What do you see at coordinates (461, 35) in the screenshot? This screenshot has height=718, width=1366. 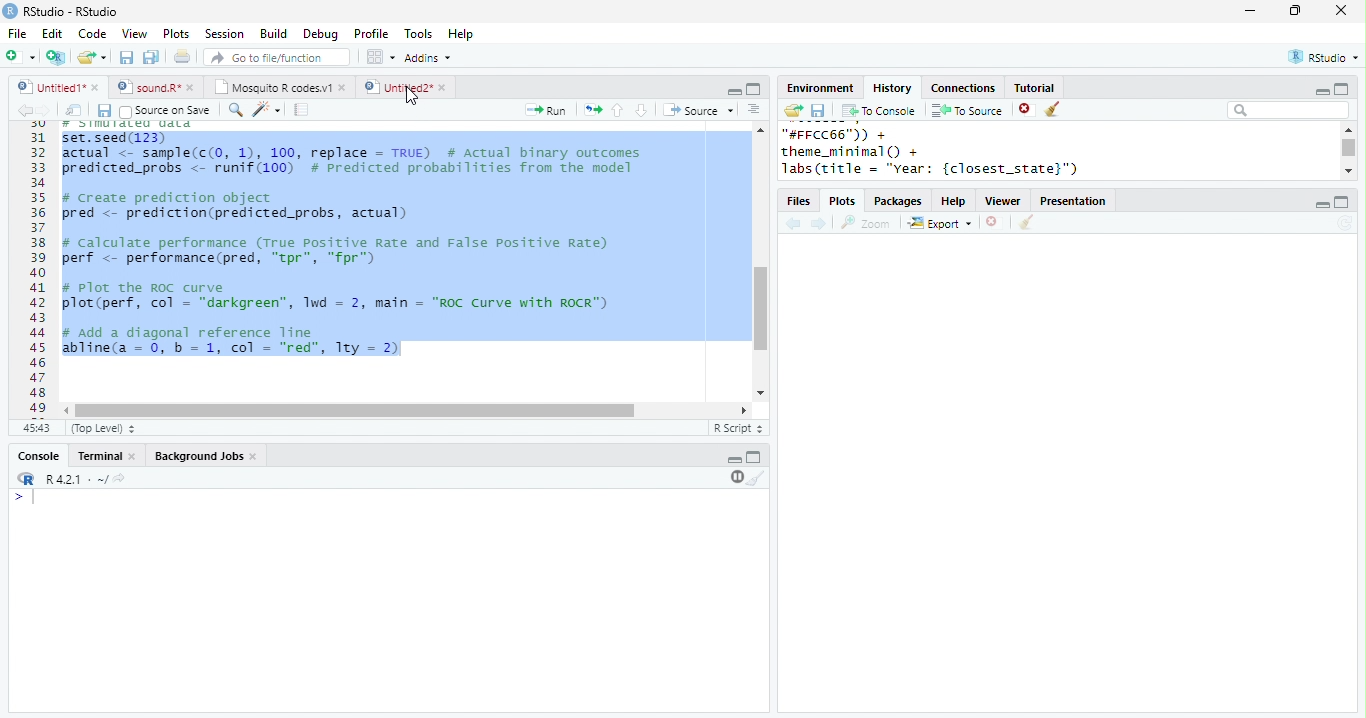 I see `Help` at bounding box center [461, 35].